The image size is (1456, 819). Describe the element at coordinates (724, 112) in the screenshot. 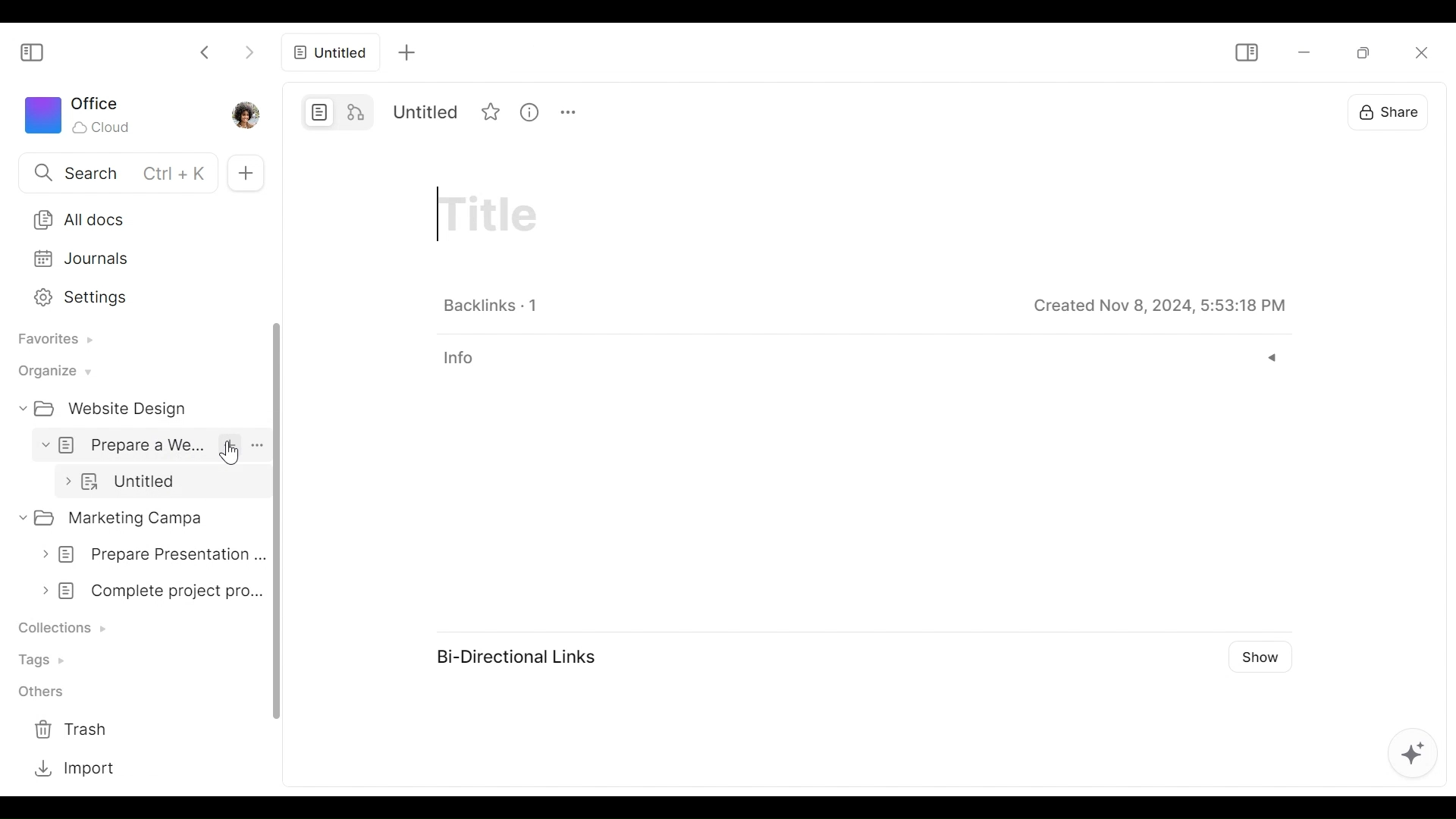

I see `more` at that location.